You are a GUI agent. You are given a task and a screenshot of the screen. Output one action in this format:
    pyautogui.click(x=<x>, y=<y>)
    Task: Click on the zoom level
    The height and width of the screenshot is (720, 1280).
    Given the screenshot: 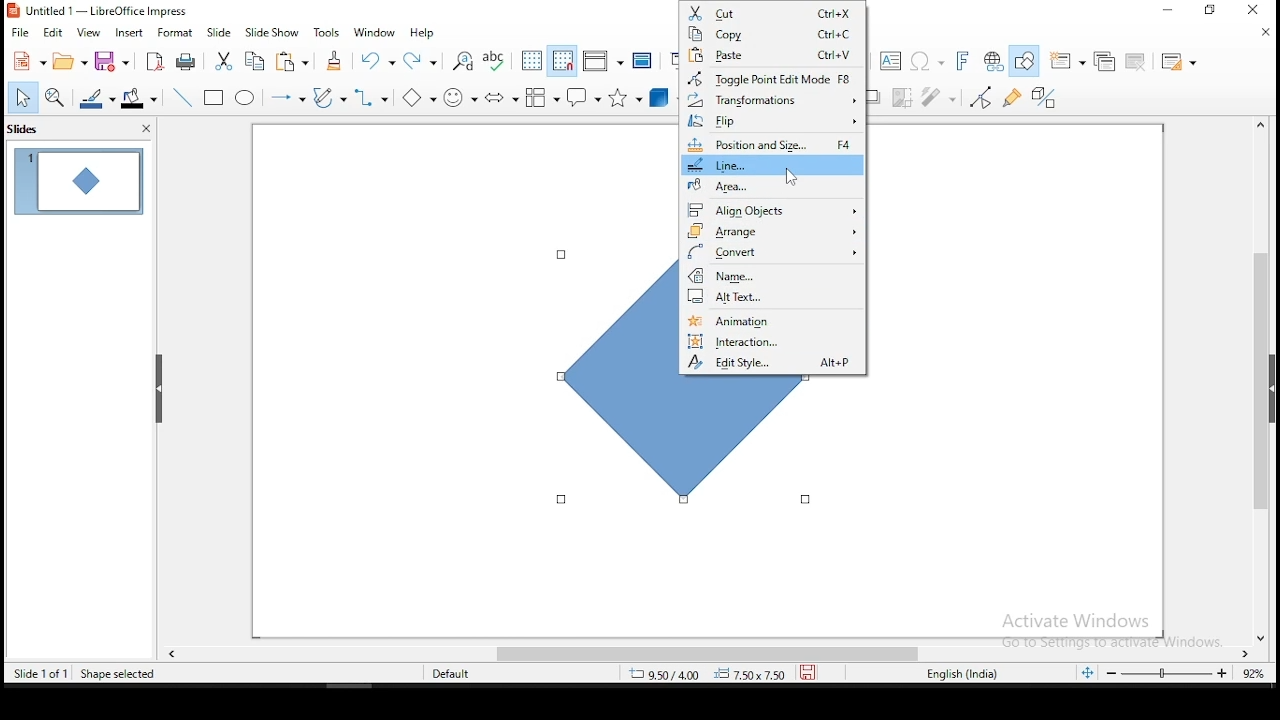 What is the action you would take?
    pyautogui.click(x=1166, y=673)
    